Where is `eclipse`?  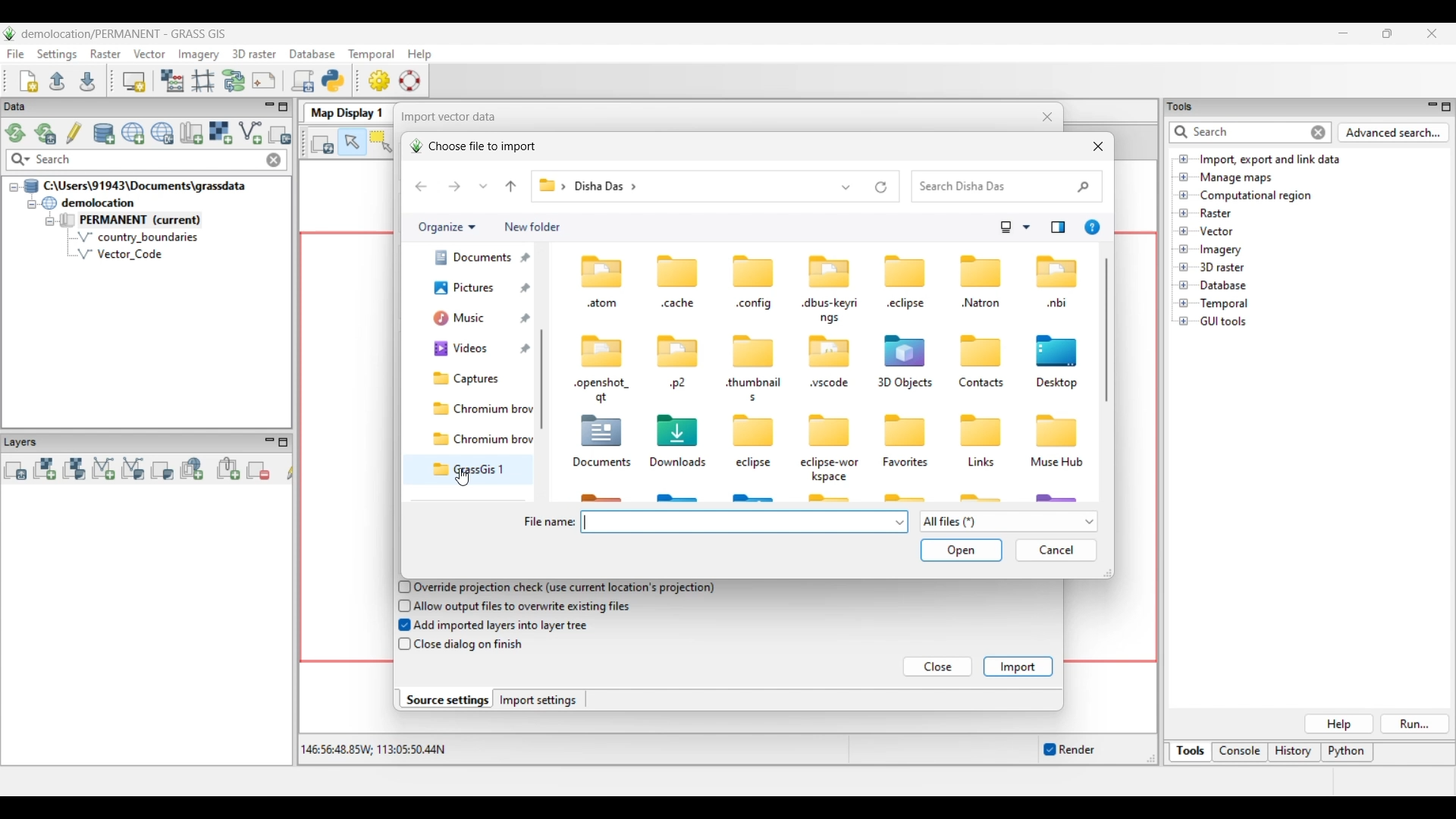 eclipse is located at coordinates (755, 464).